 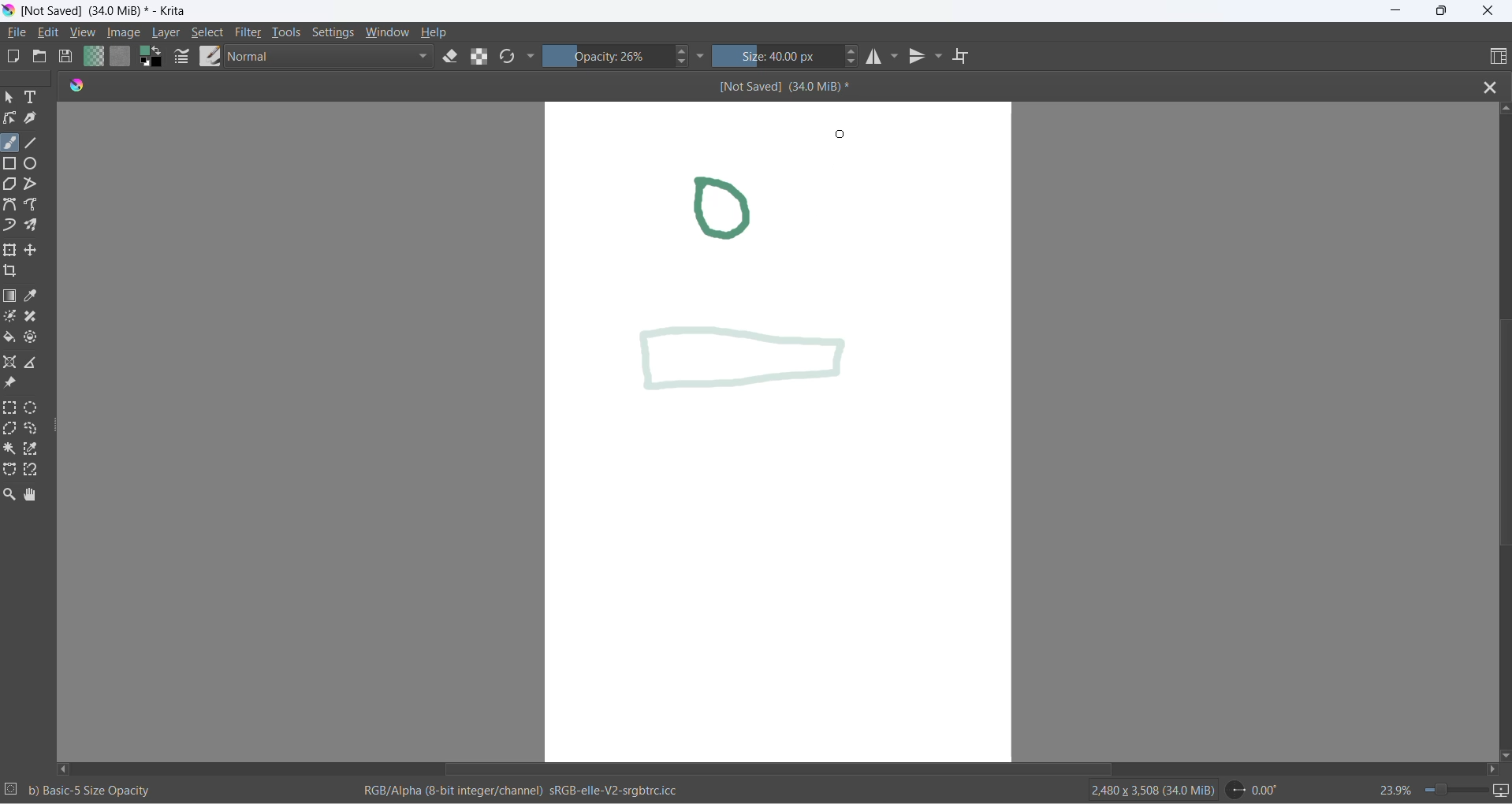 What do you see at coordinates (122, 56) in the screenshot?
I see `fill patterns` at bounding box center [122, 56].